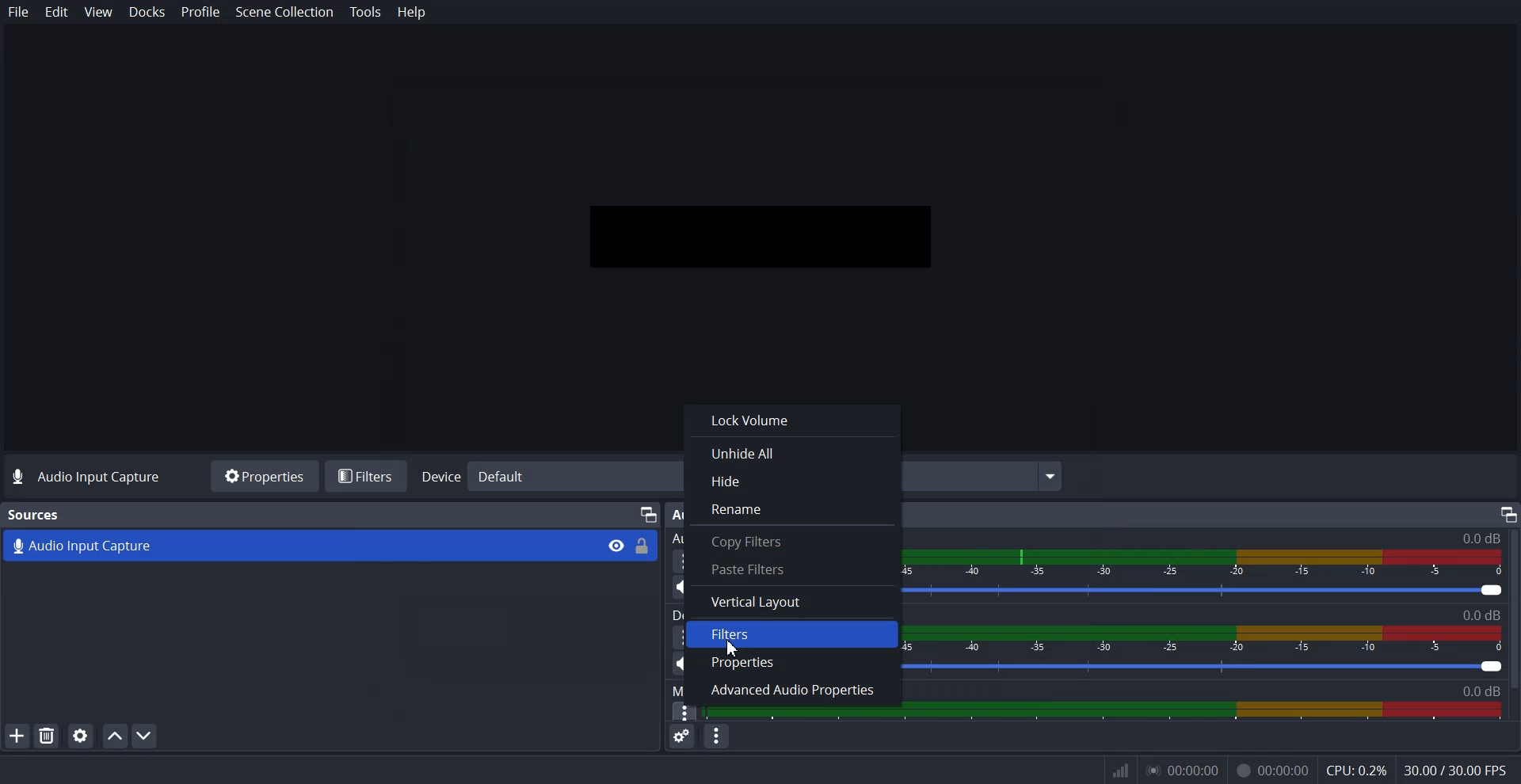 This screenshot has height=784, width=1521. I want to click on 30.00/300, so click(1461, 771).